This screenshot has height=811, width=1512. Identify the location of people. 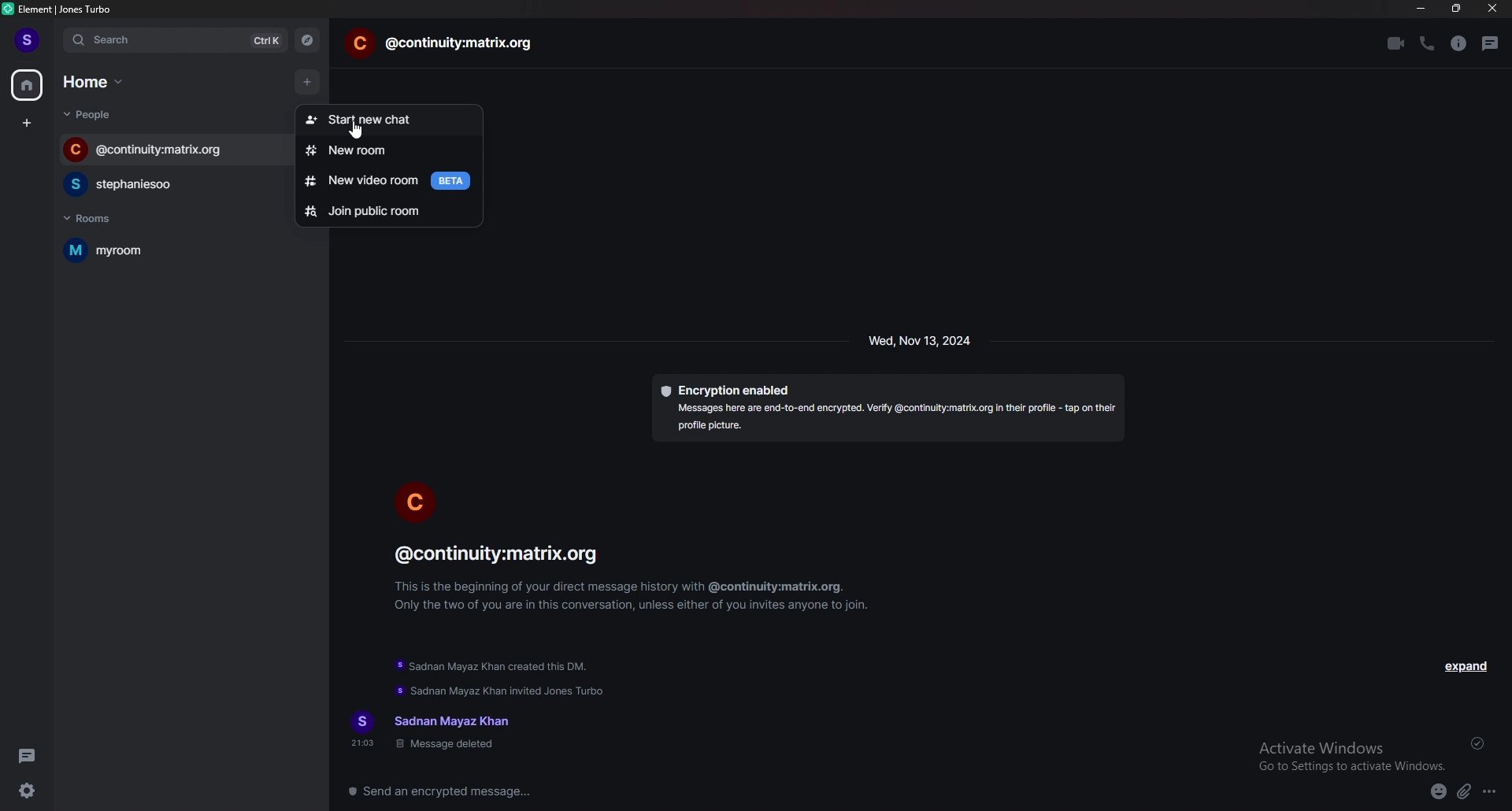
(94, 114).